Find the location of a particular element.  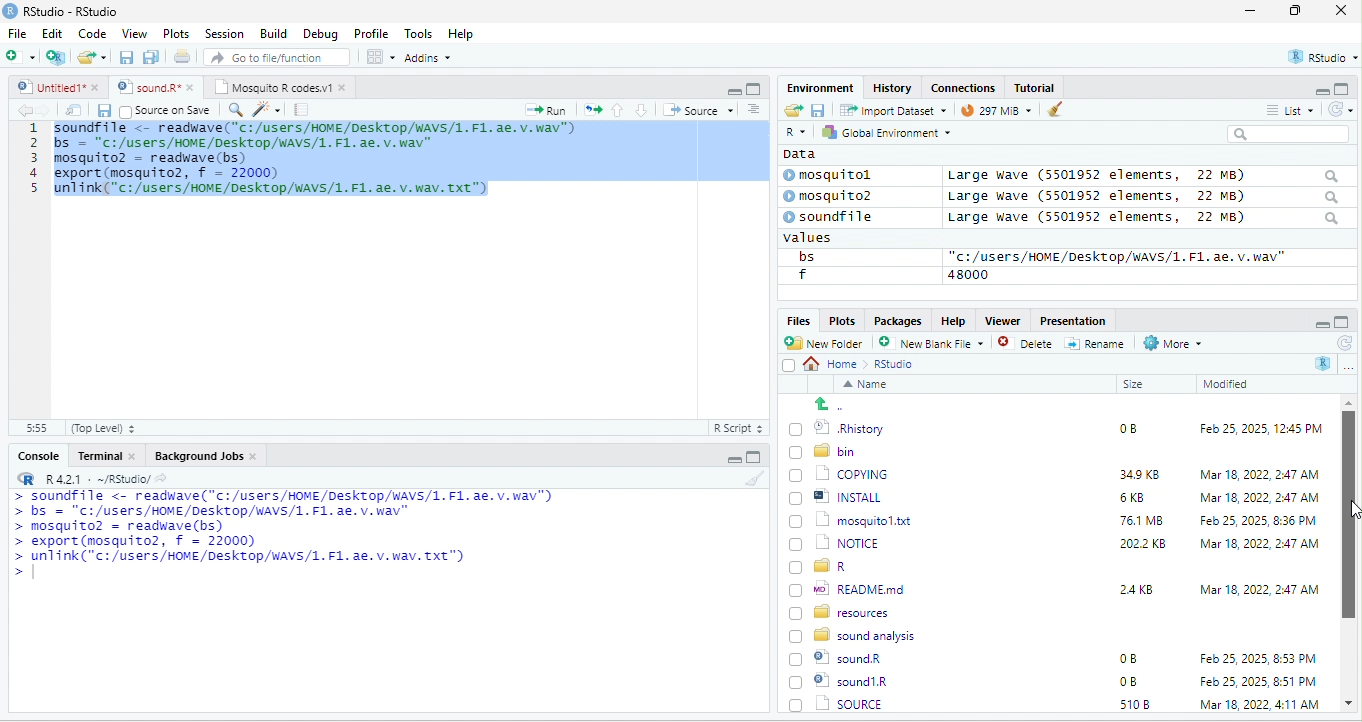

2022 KB is located at coordinates (1144, 545).